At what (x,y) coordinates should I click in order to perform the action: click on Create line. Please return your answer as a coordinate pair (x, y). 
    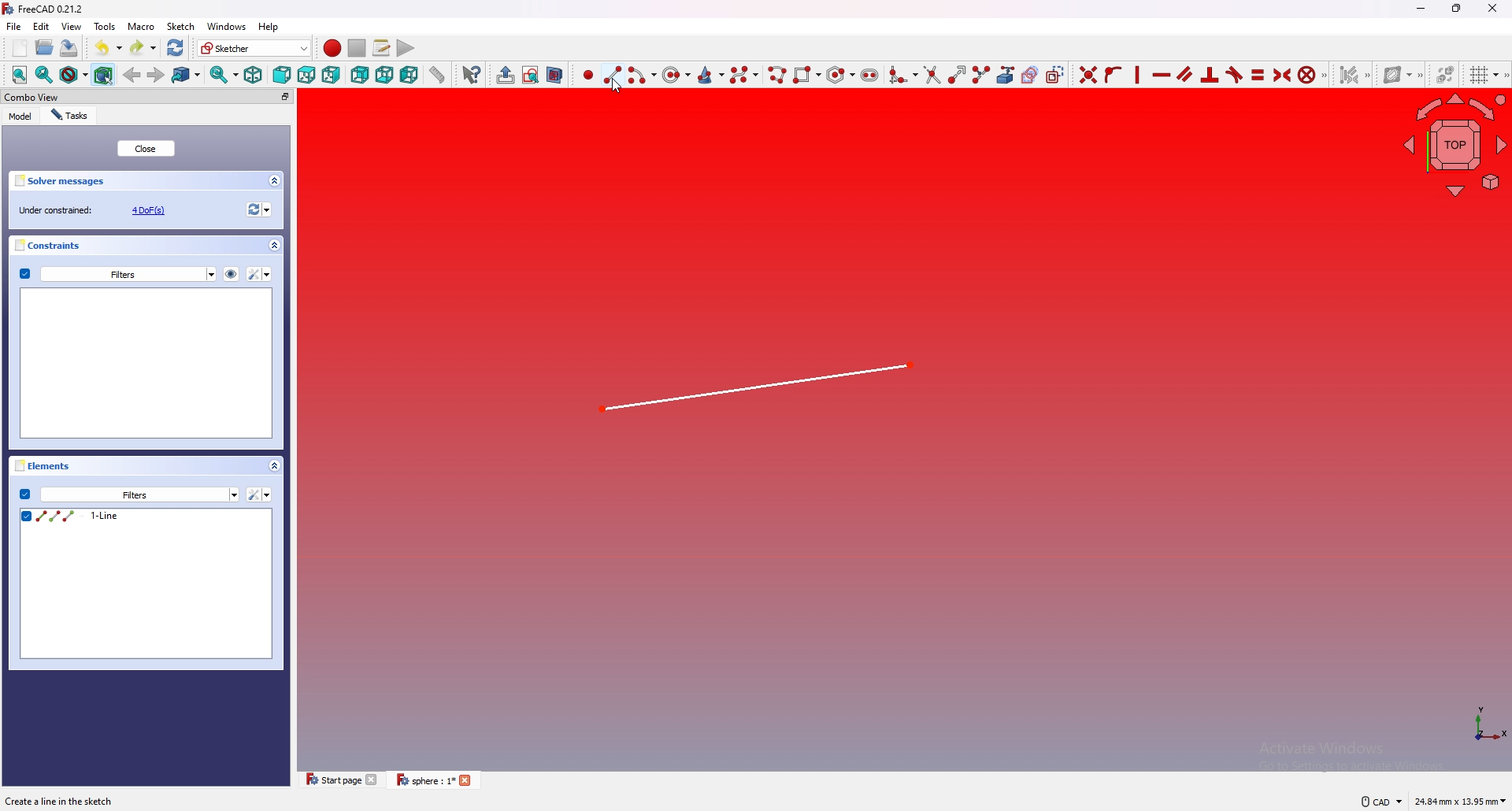
    Looking at the image, I should click on (613, 74).